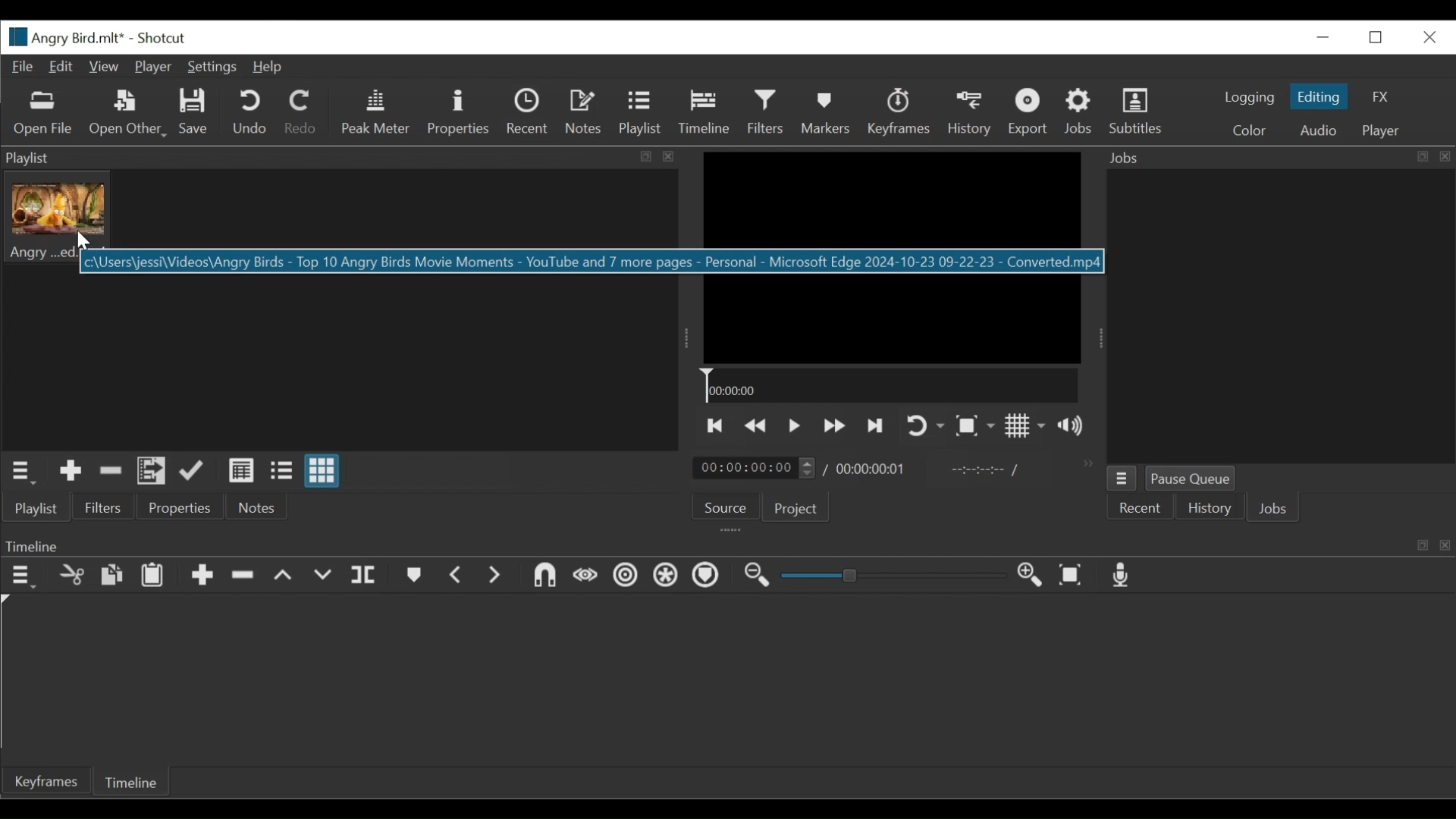 The height and width of the screenshot is (819, 1456). What do you see at coordinates (584, 110) in the screenshot?
I see `Notes` at bounding box center [584, 110].